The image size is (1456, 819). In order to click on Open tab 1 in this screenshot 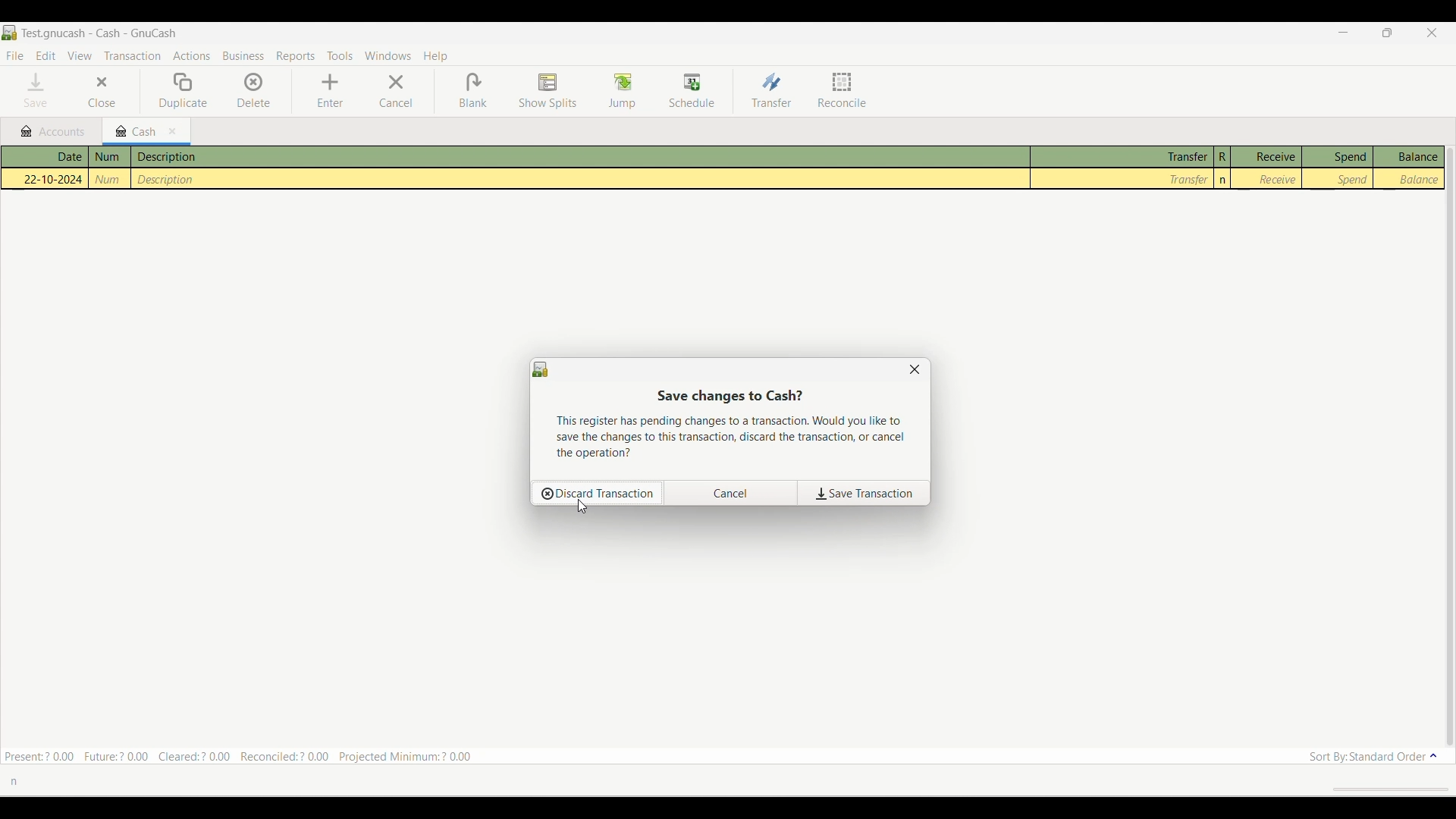, I will do `click(51, 131)`.